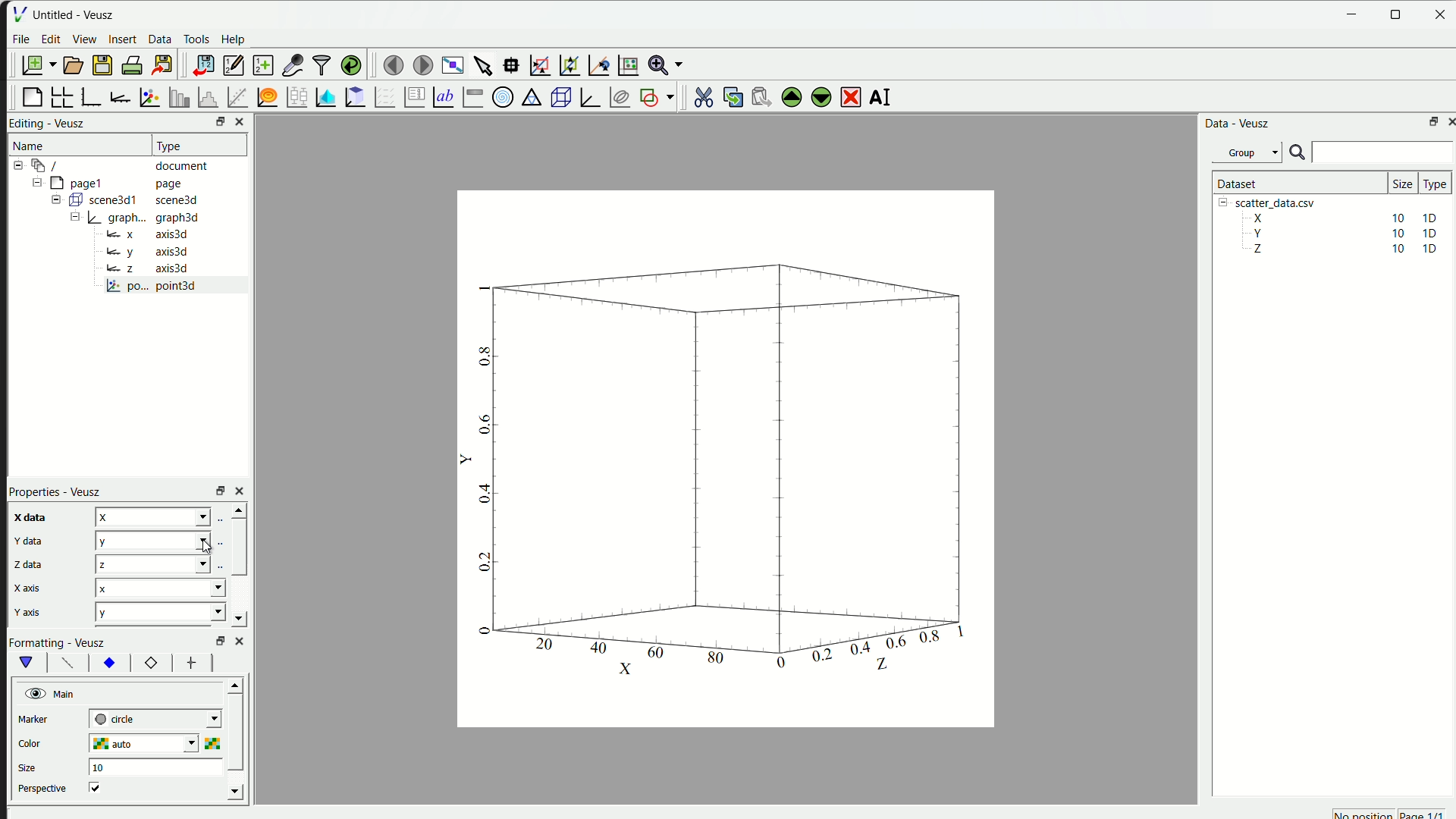 This screenshot has height=819, width=1456. What do you see at coordinates (144, 268) in the screenshot?
I see `Bz  axis3d` at bounding box center [144, 268].